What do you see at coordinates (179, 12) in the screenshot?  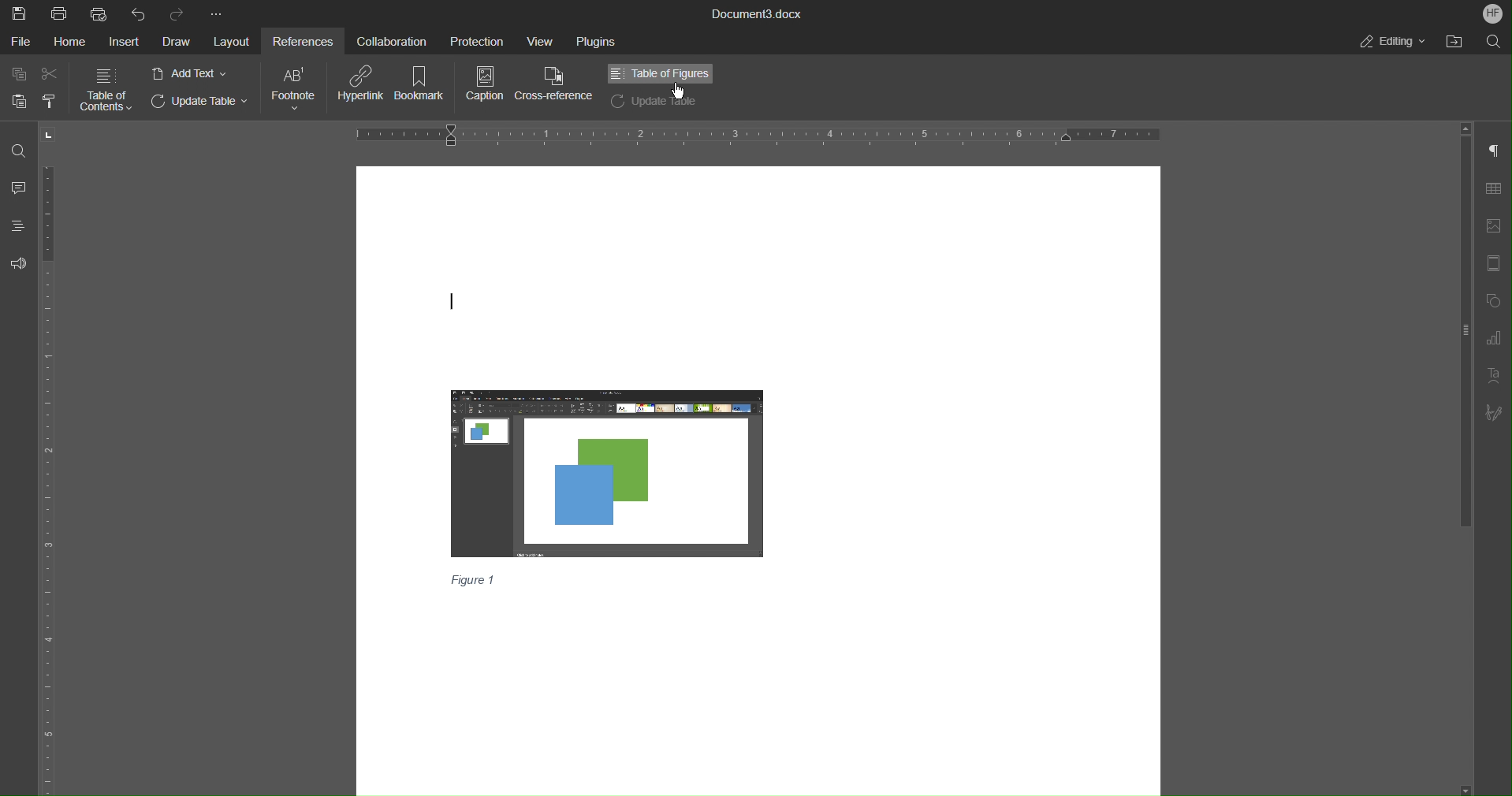 I see `Redo` at bounding box center [179, 12].